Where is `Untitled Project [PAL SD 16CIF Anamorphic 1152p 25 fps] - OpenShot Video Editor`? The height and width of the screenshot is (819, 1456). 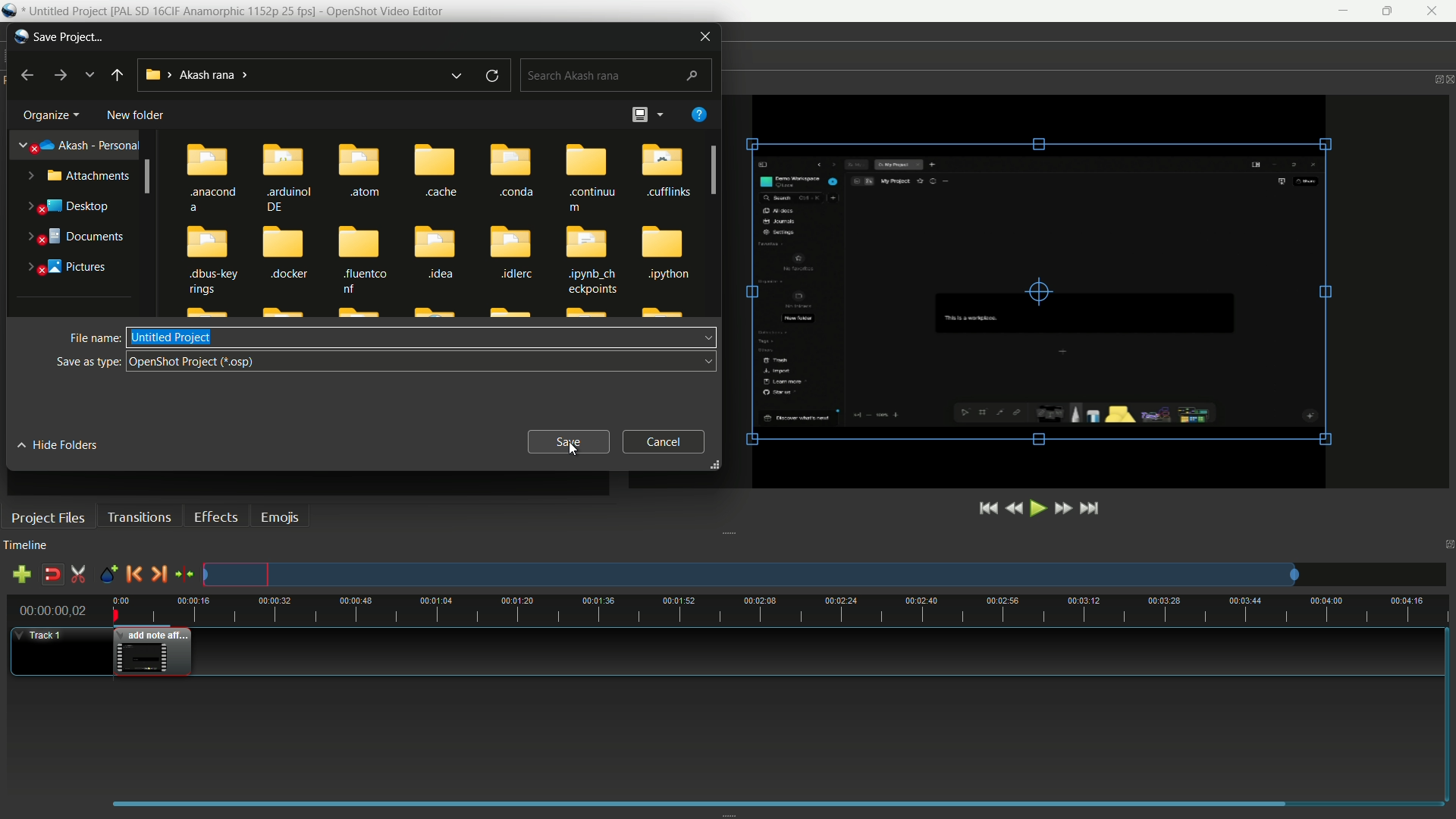
Untitled Project [PAL SD 16CIF Anamorphic 1152p 25 fps] - OpenShot Video Editor is located at coordinates (240, 11).